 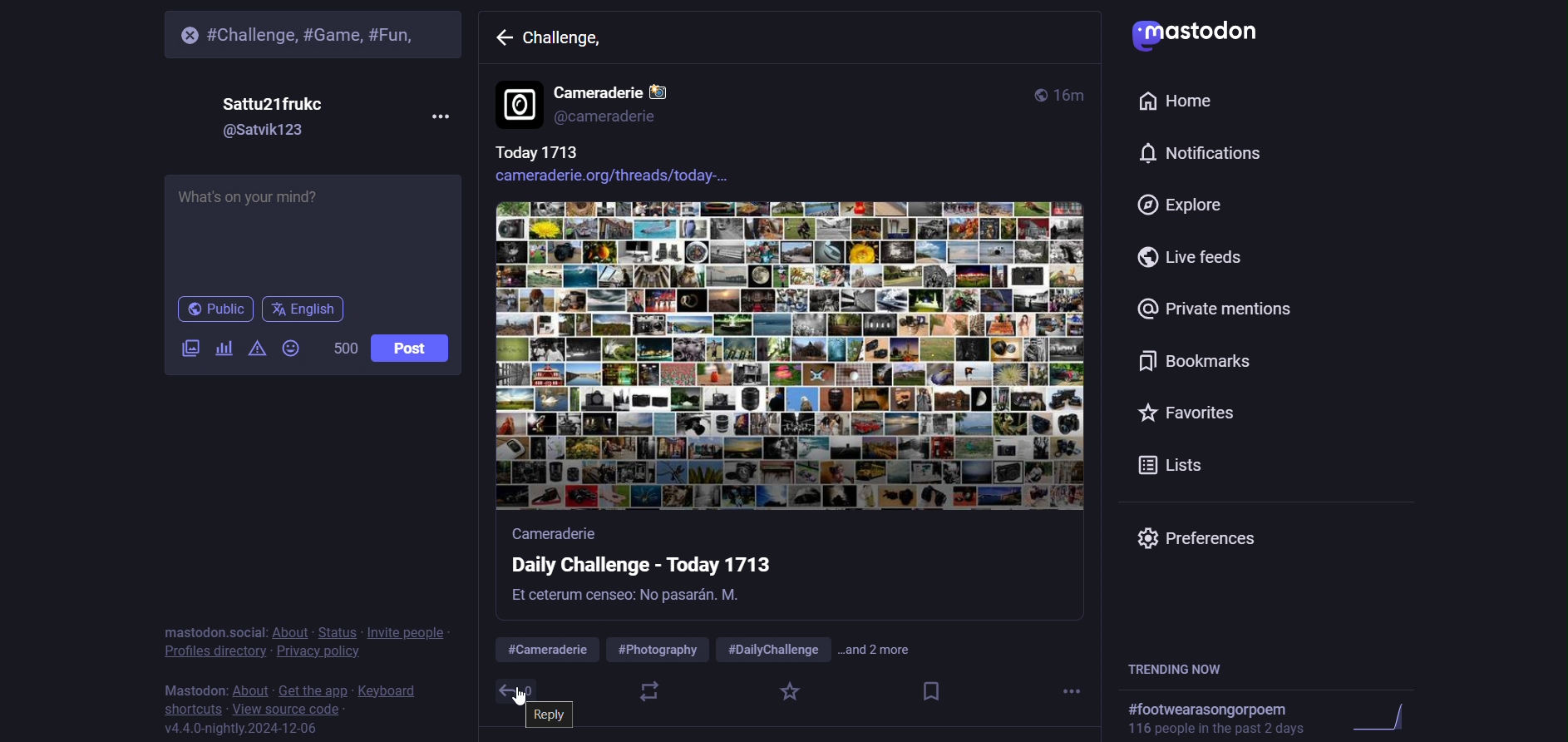 What do you see at coordinates (411, 349) in the screenshot?
I see `post` at bounding box center [411, 349].